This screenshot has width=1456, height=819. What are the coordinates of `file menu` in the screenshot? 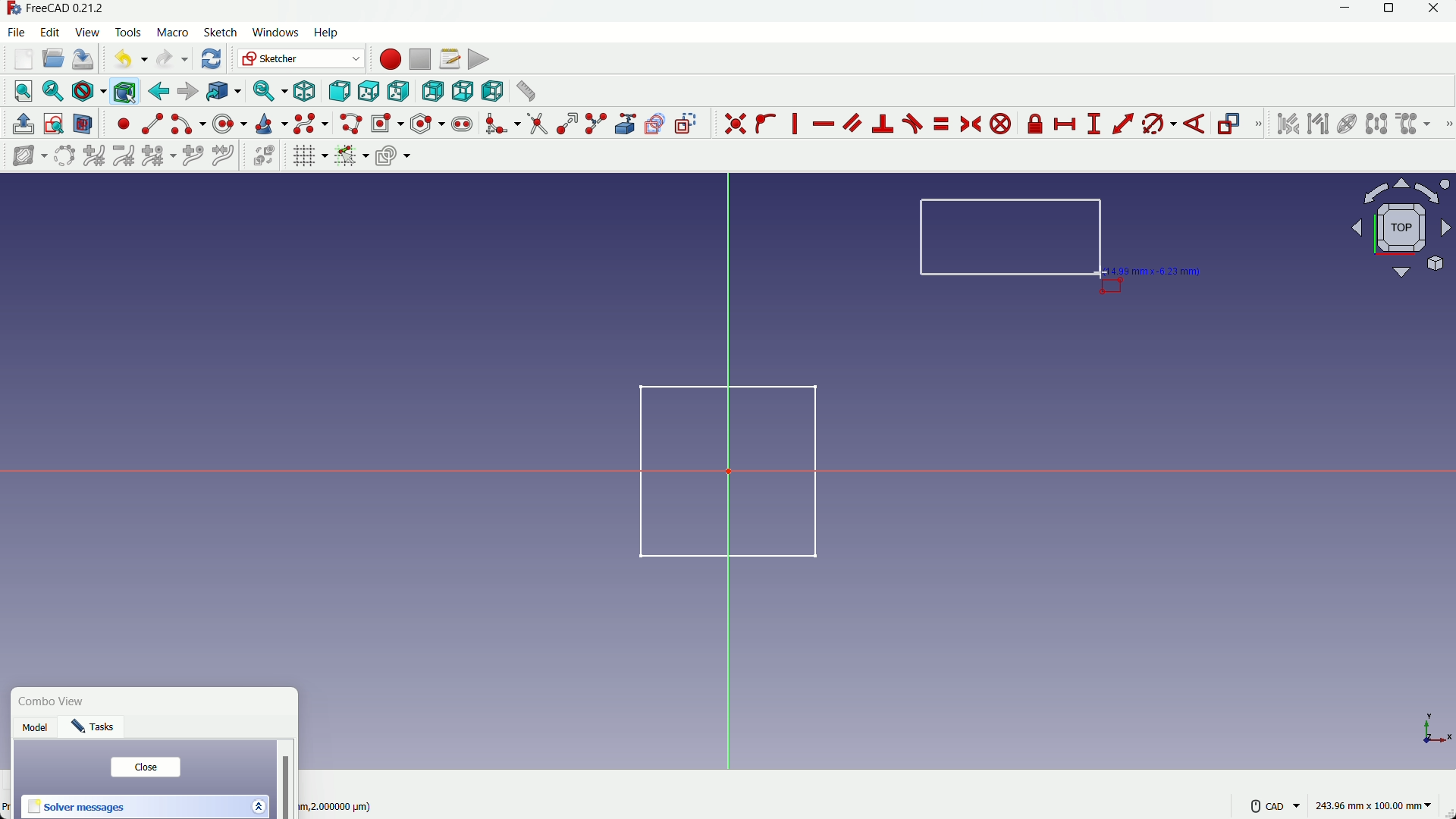 It's located at (18, 32).